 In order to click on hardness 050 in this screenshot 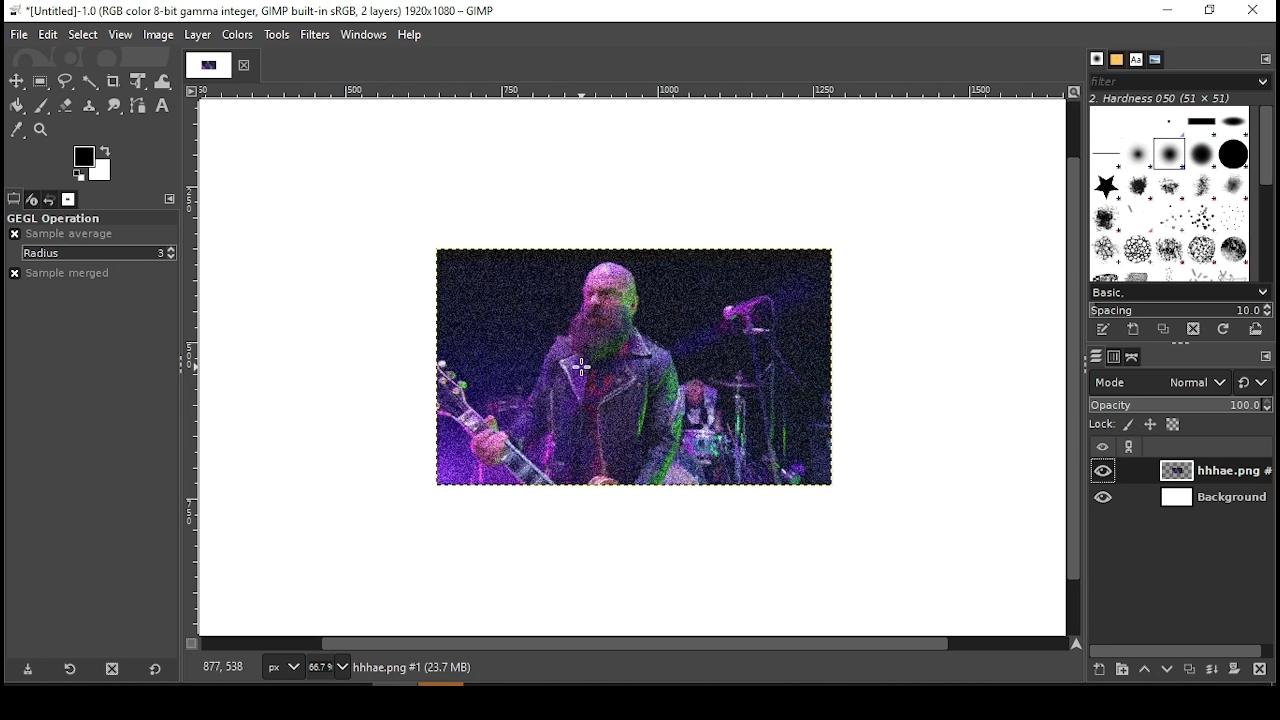, I will do `click(1177, 98)`.